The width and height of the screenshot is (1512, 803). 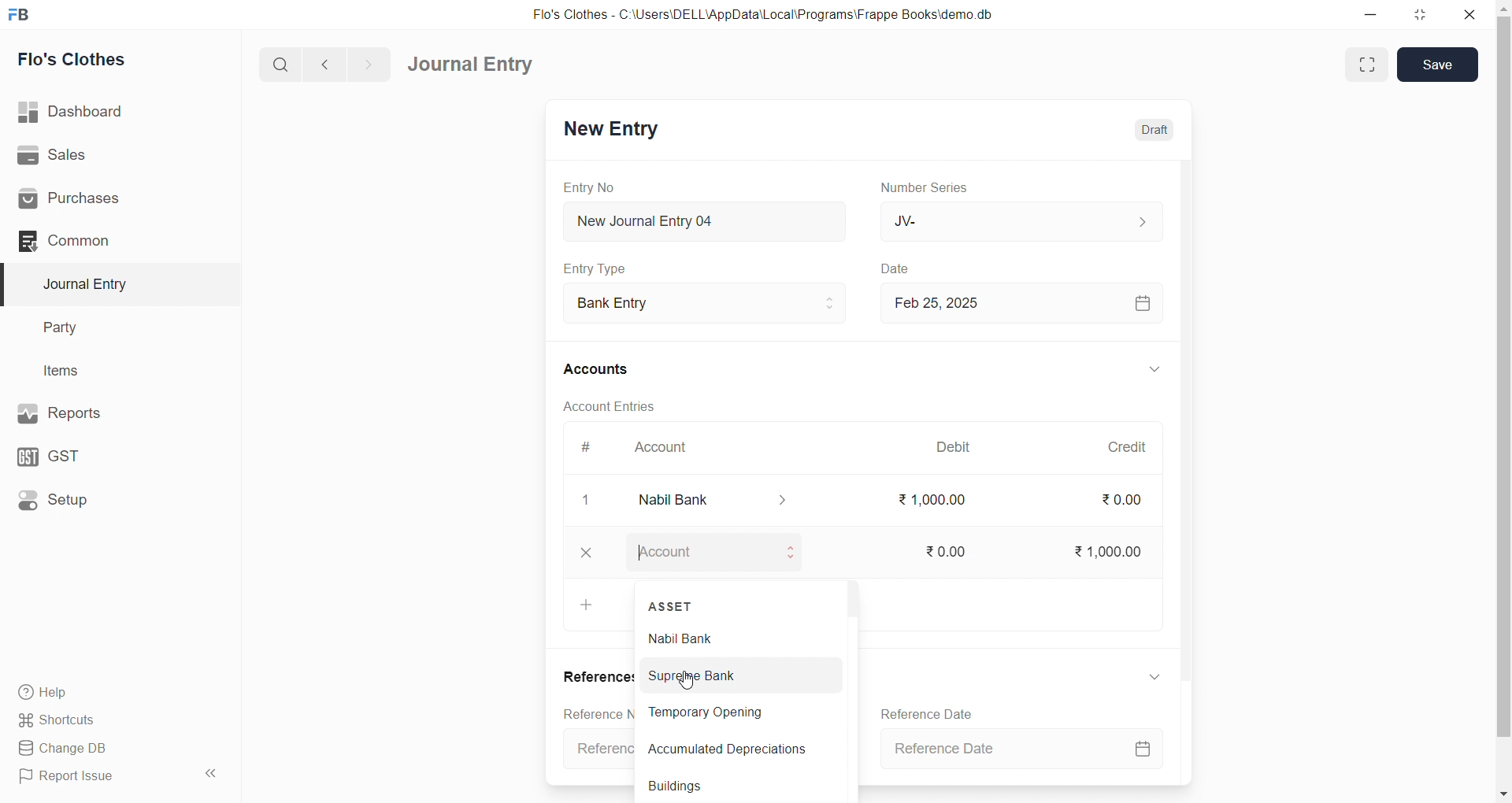 What do you see at coordinates (736, 785) in the screenshot?
I see `Buildings` at bounding box center [736, 785].